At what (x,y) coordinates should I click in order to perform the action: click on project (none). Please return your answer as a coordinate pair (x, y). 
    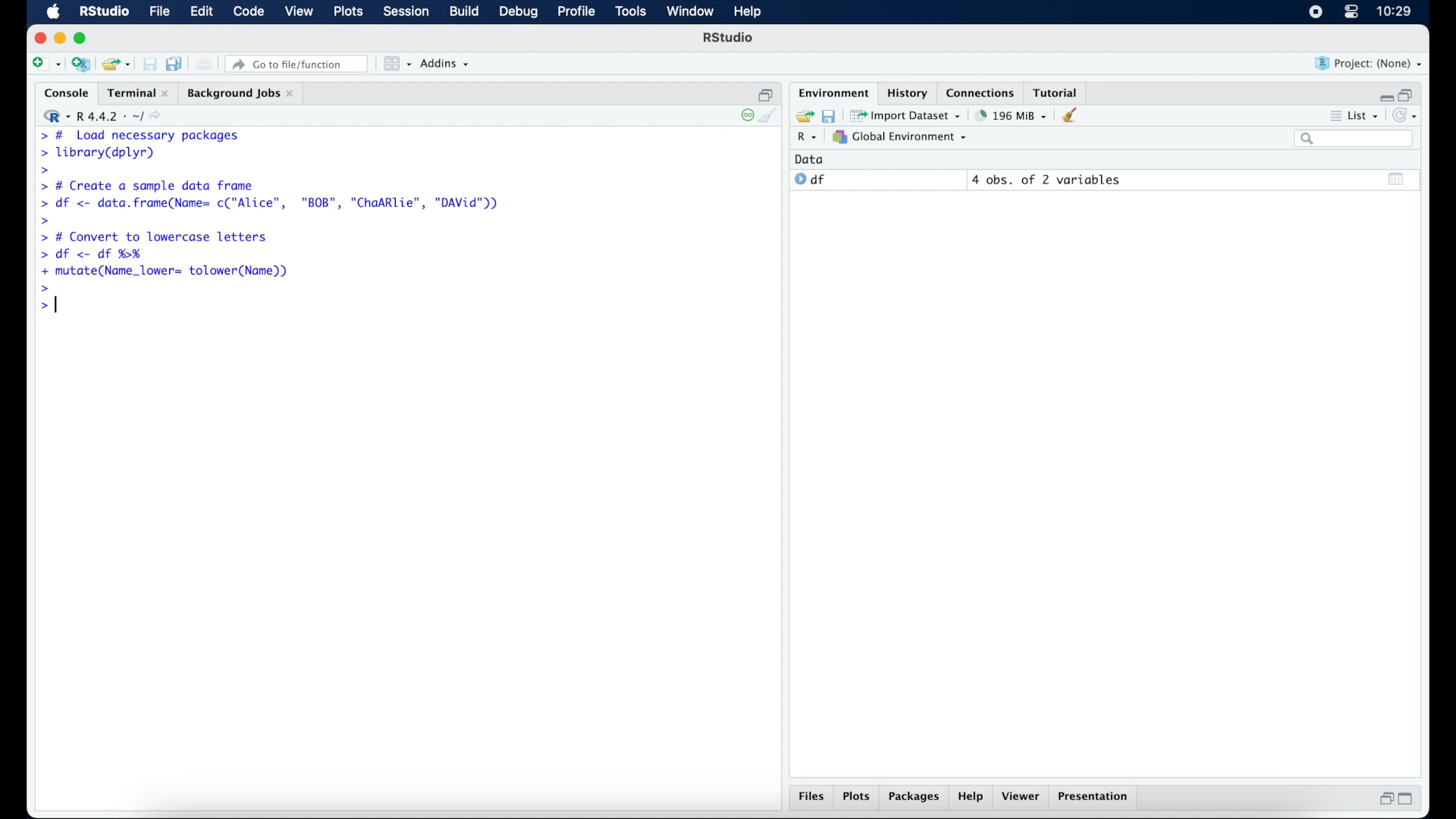
    Looking at the image, I should click on (1370, 64).